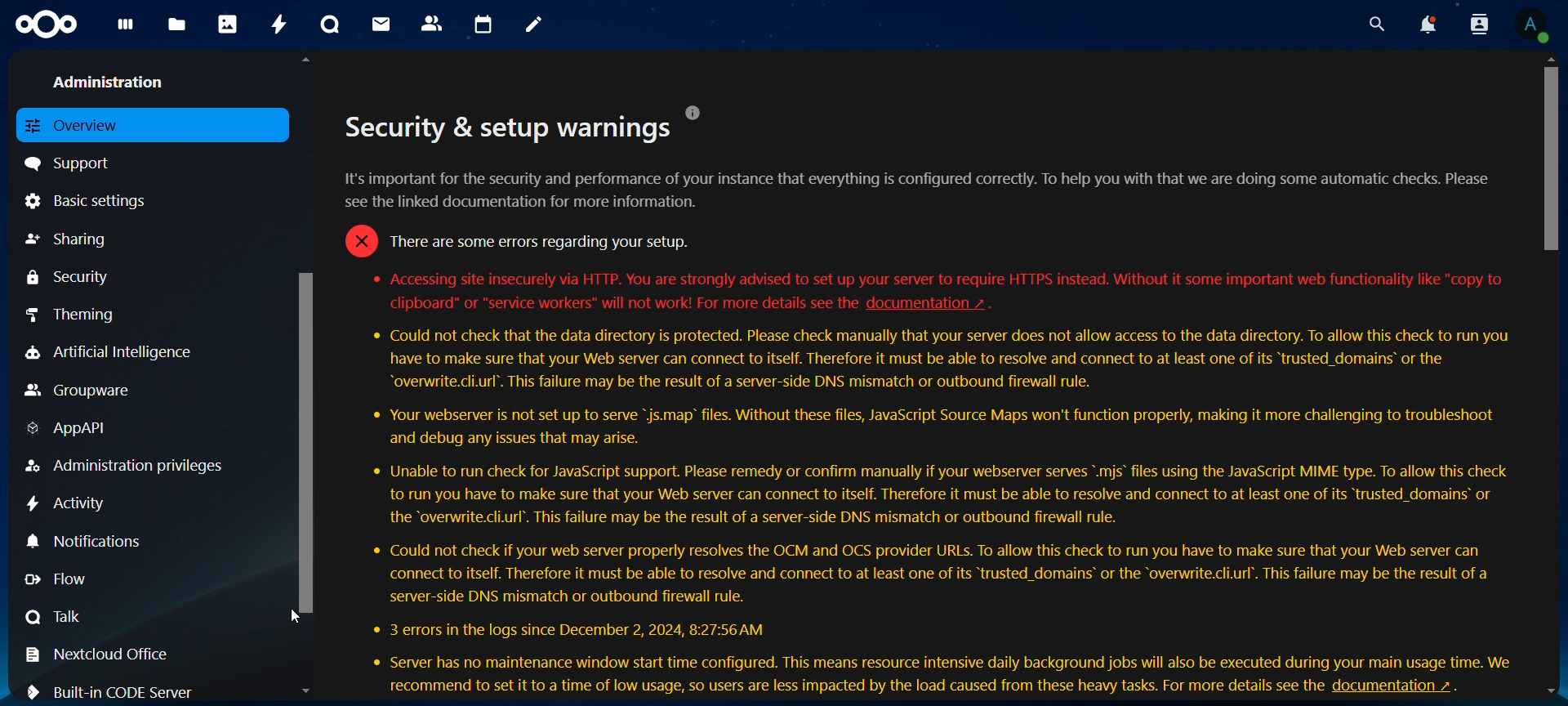 The image size is (1568, 706). Describe the element at coordinates (116, 690) in the screenshot. I see `built in CODE Server` at that location.